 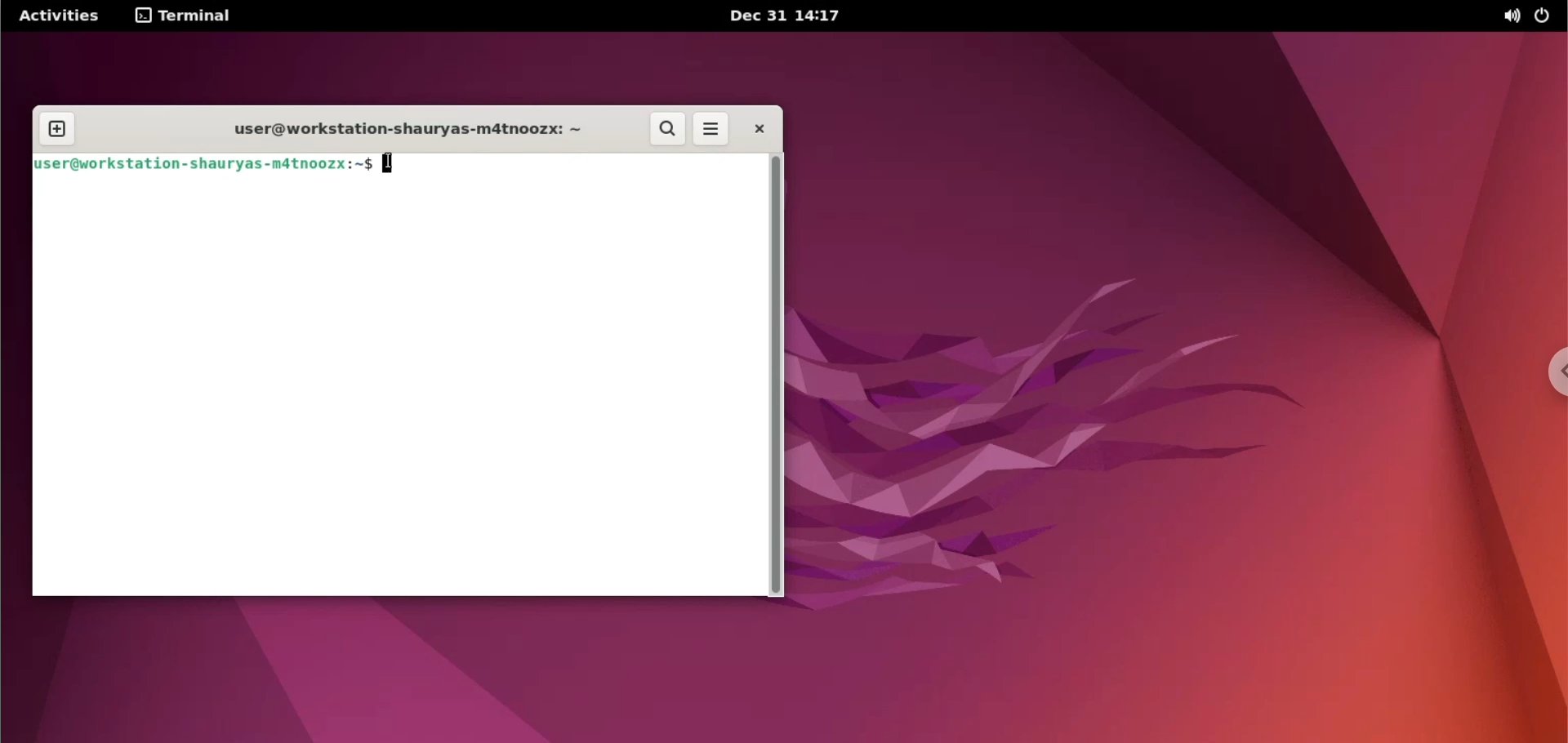 What do you see at coordinates (711, 130) in the screenshot?
I see `more options` at bounding box center [711, 130].